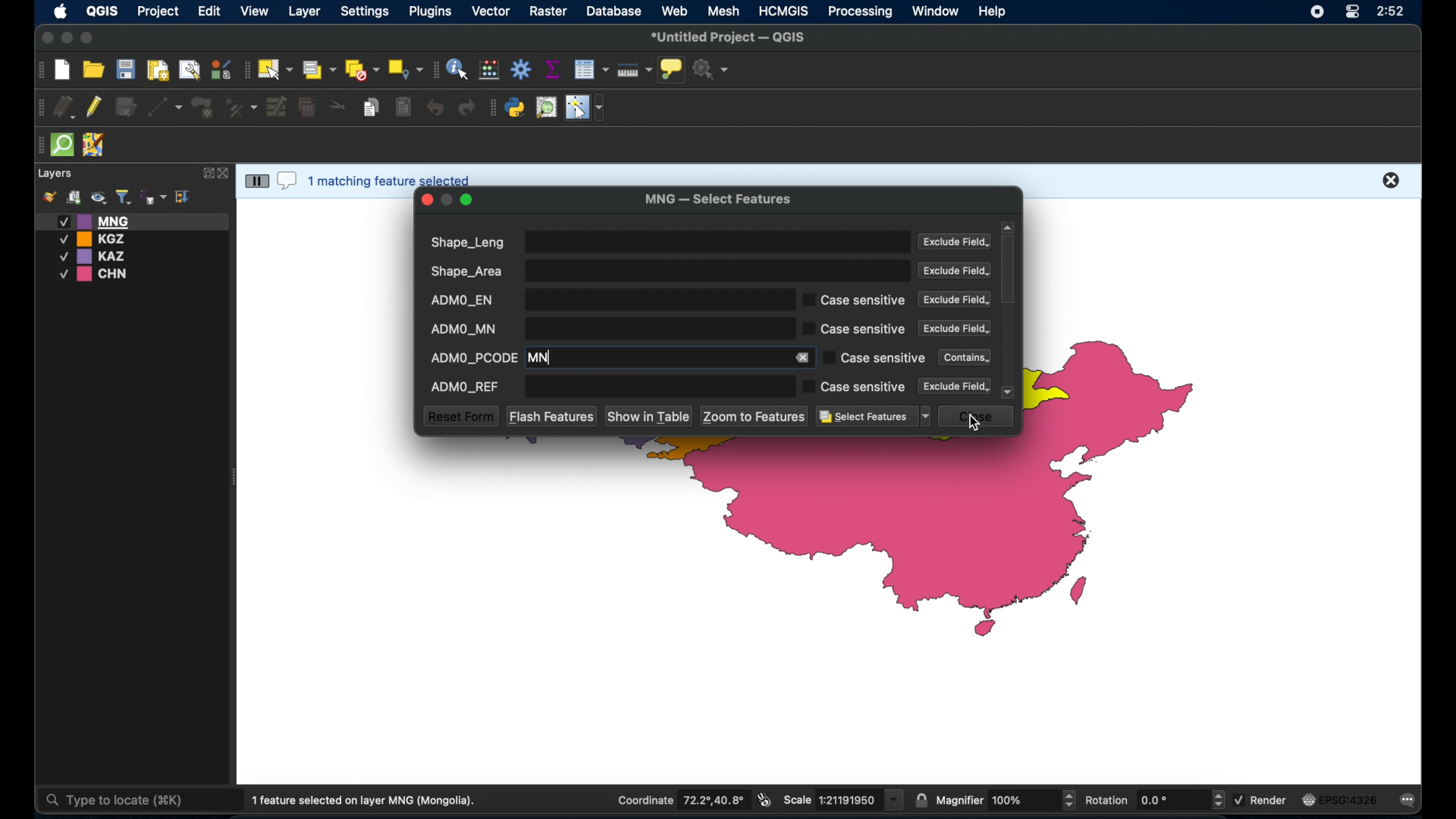 Image resolution: width=1456 pixels, height=819 pixels. Describe the element at coordinates (102, 256) in the screenshot. I see `KAZ` at that location.